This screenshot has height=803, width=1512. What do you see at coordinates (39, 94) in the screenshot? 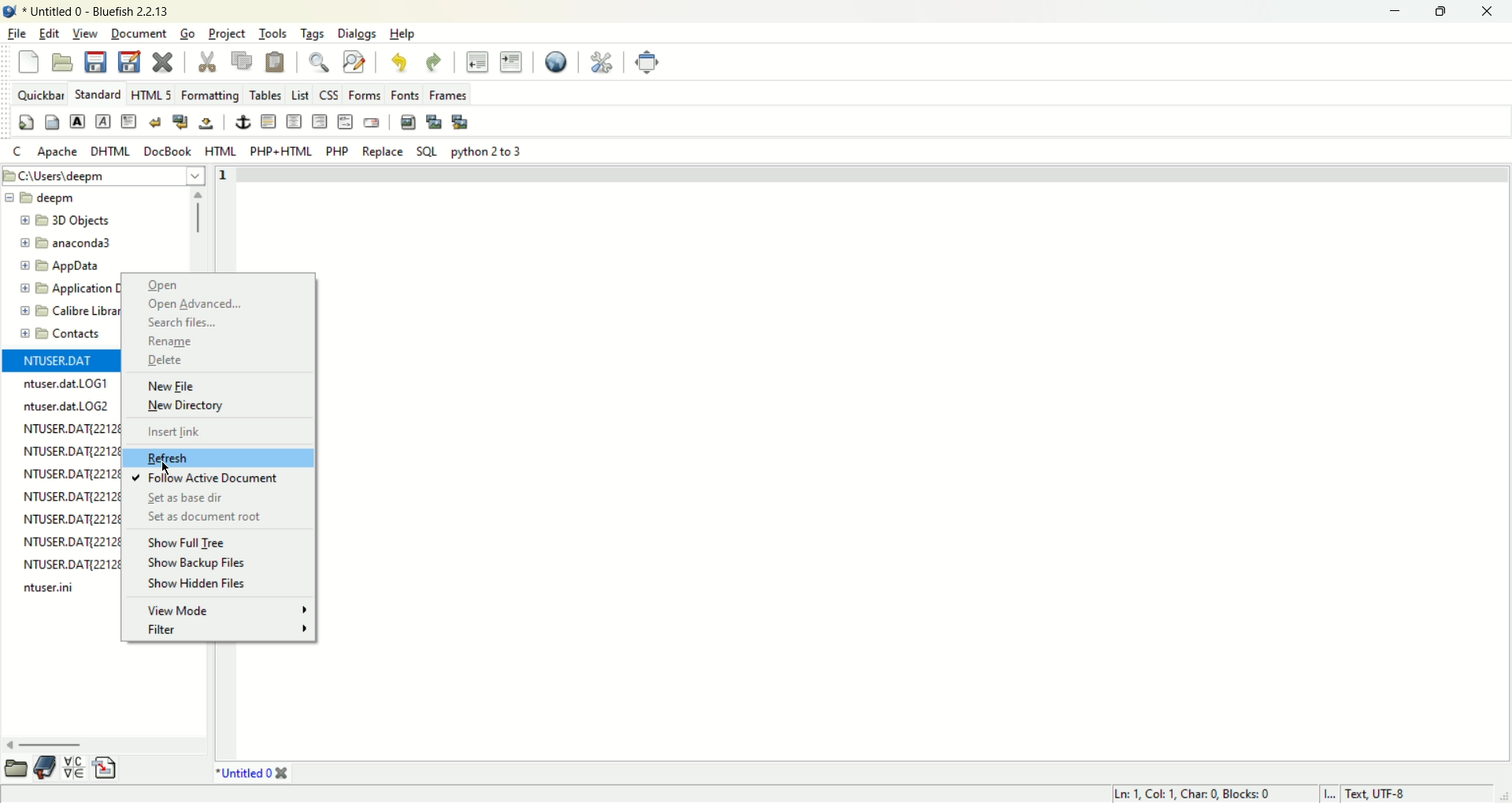
I see `quickbar` at bounding box center [39, 94].